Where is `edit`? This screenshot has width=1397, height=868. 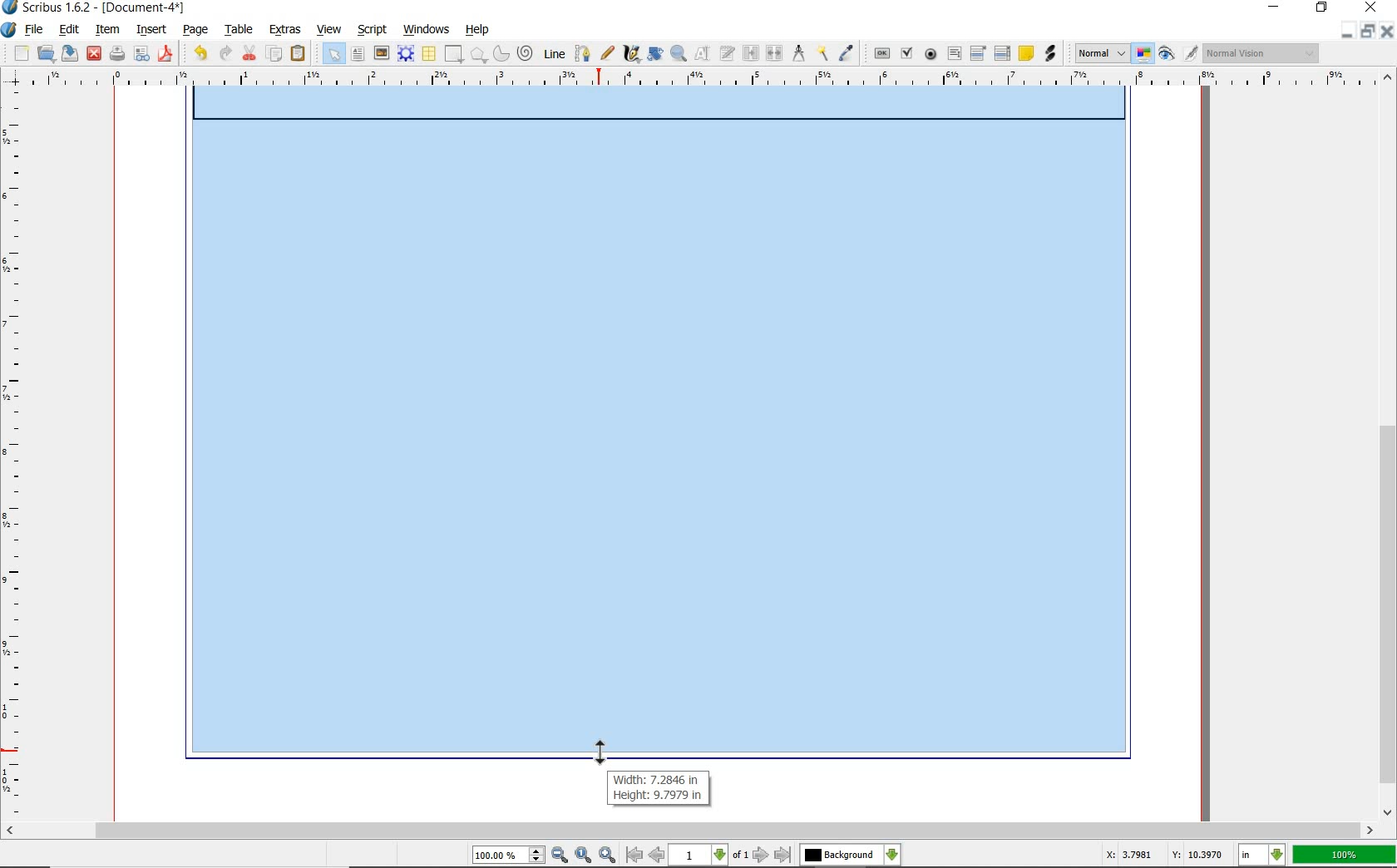
edit is located at coordinates (70, 29).